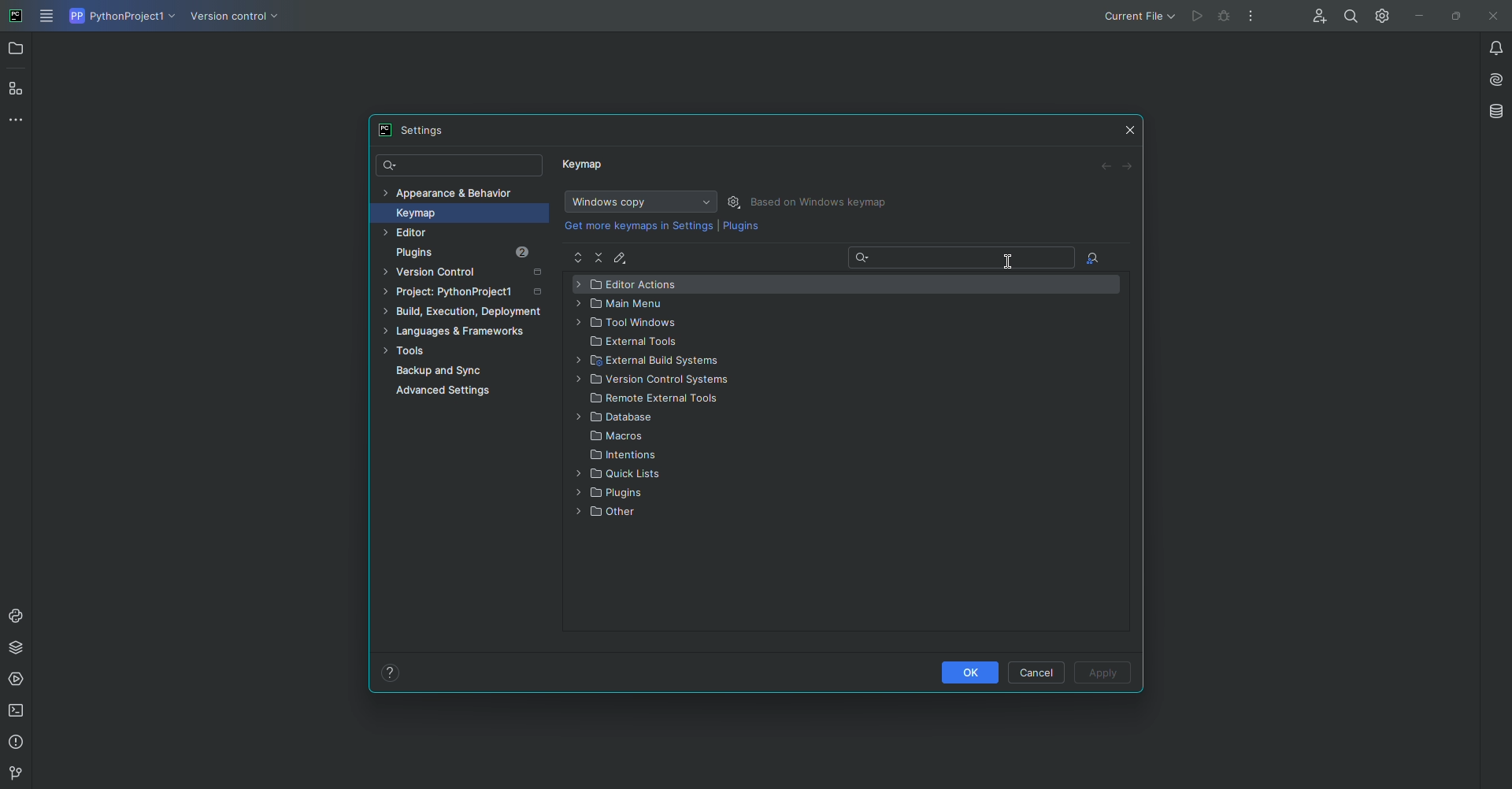 Image resolution: width=1512 pixels, height=789 pixels. What do you see at coordinates (17, 50) in the screenshot?
I see `Project` at bounding box center [17, 50].